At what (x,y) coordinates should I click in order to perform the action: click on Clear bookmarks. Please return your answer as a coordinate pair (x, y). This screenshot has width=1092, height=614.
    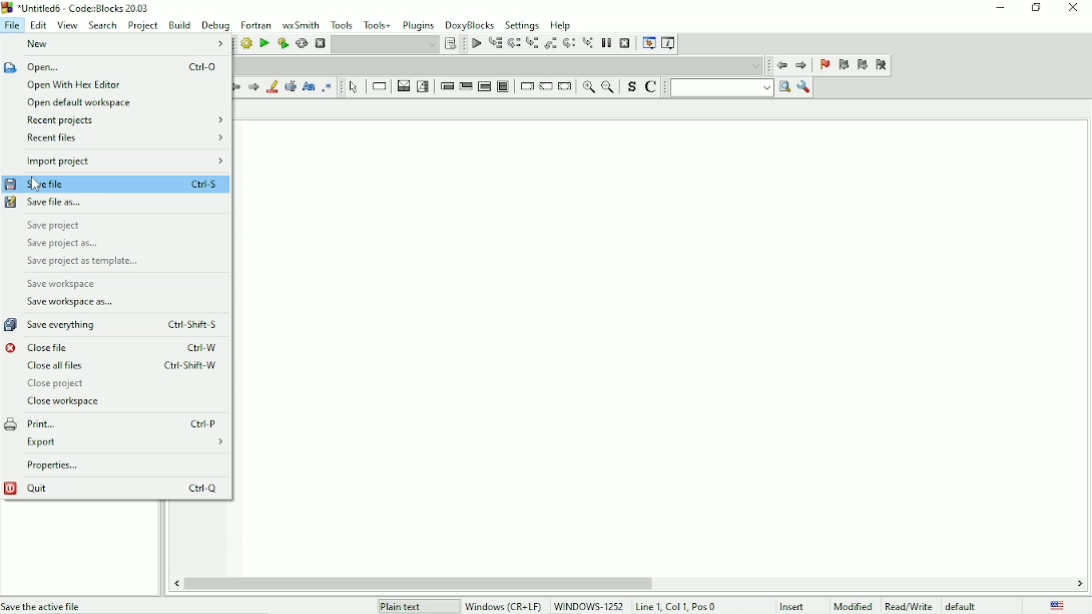
    Looking at the image, I should click on (881, 65).